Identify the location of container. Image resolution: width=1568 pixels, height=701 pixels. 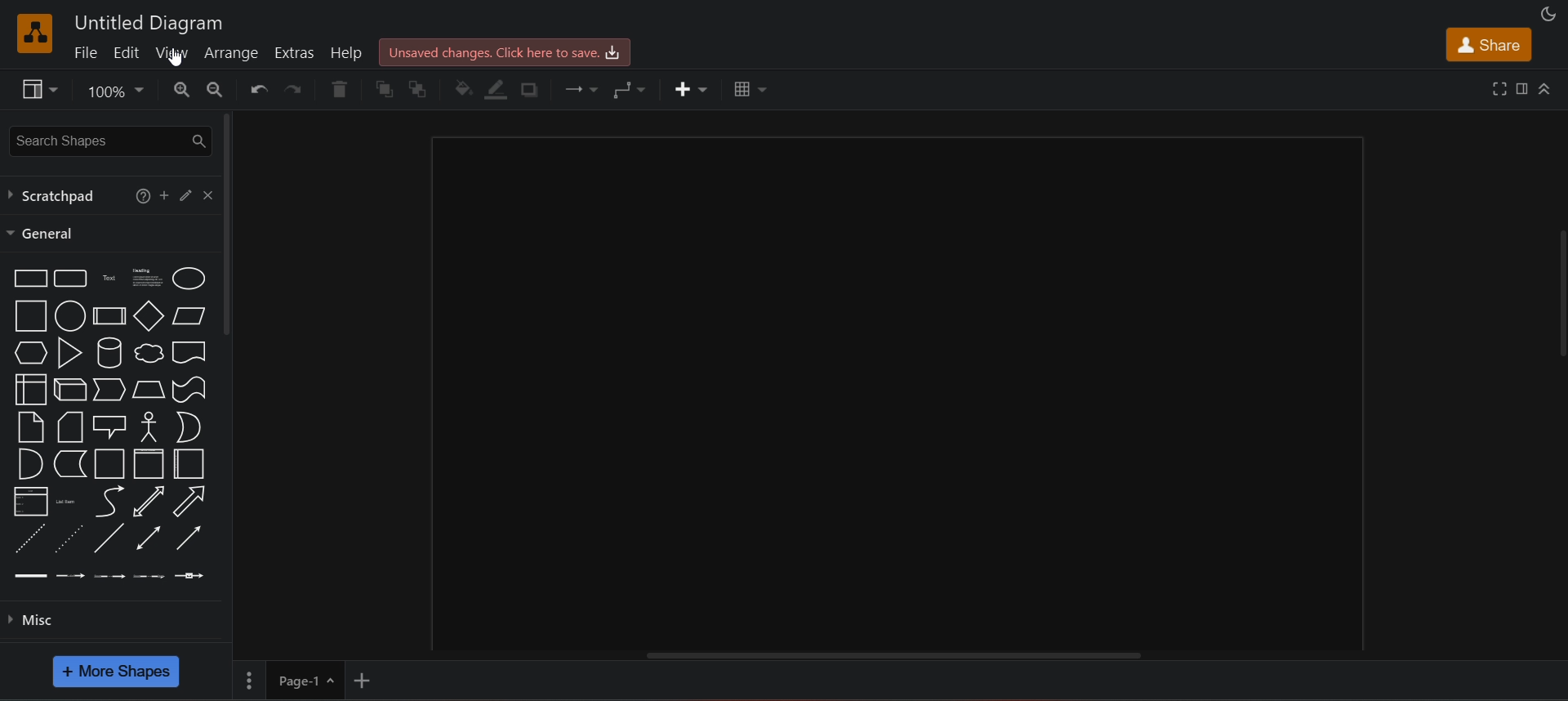
(109, 463).